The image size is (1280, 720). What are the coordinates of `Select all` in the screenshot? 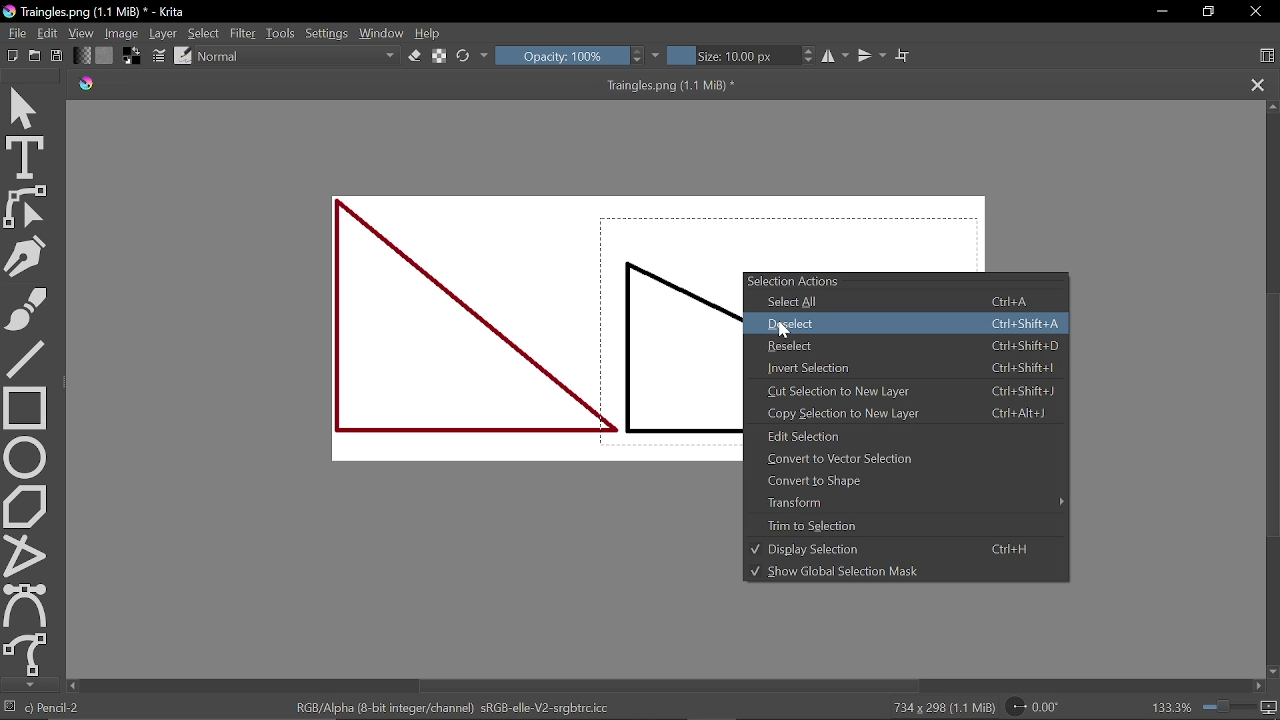 It's located at (912, 303).